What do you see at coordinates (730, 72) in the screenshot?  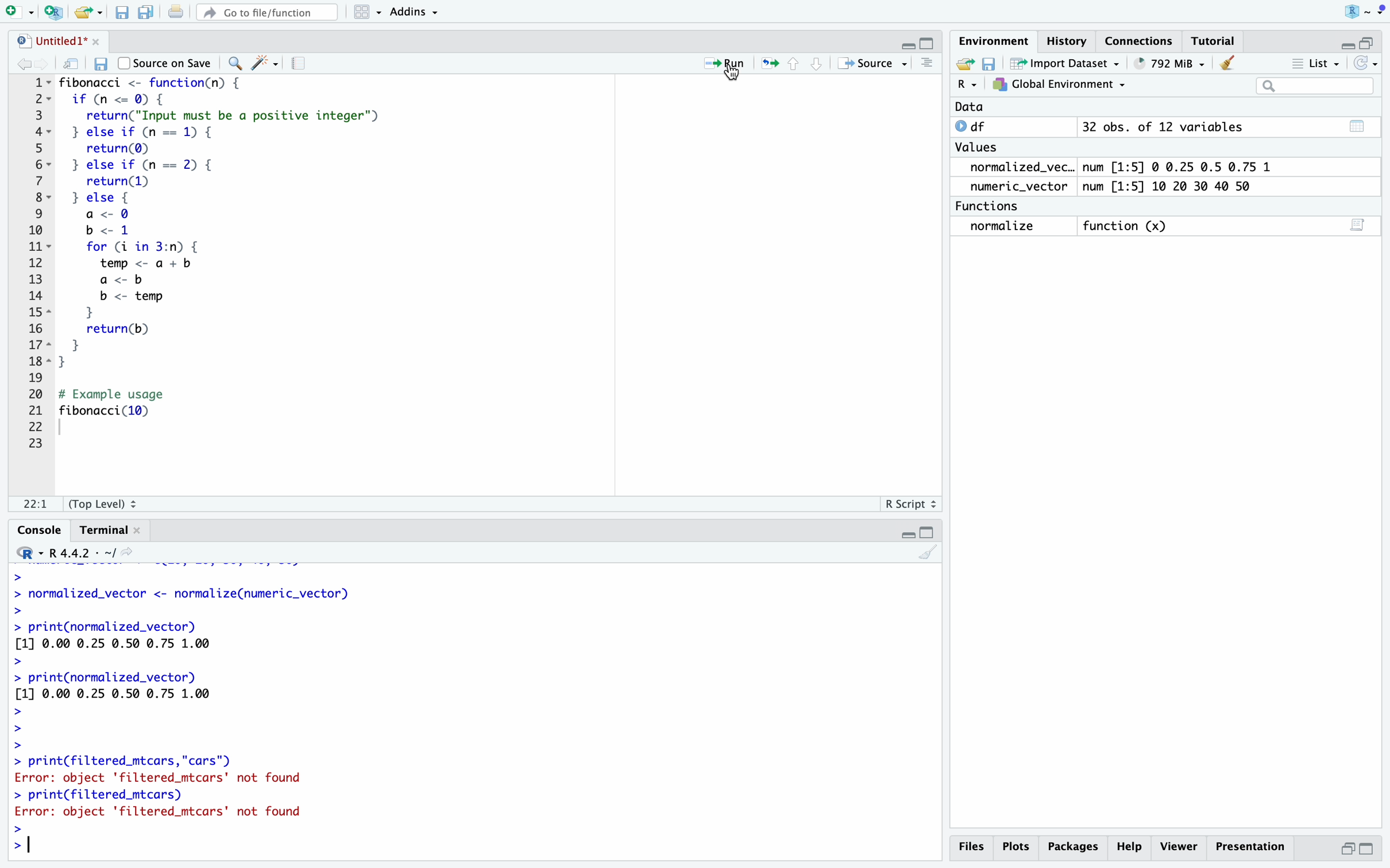 I see `cursor` at bounding box center [730, 72].